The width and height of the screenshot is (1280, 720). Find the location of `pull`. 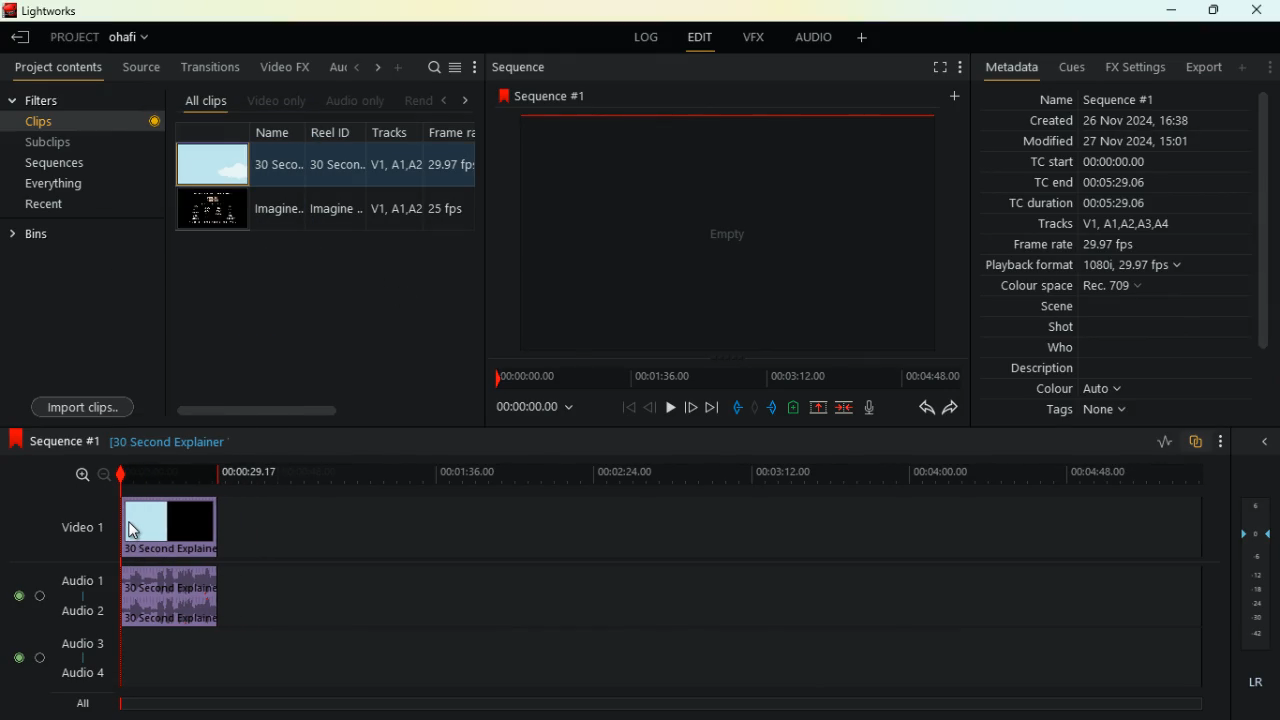

pull is located at coordinates (734, 405).